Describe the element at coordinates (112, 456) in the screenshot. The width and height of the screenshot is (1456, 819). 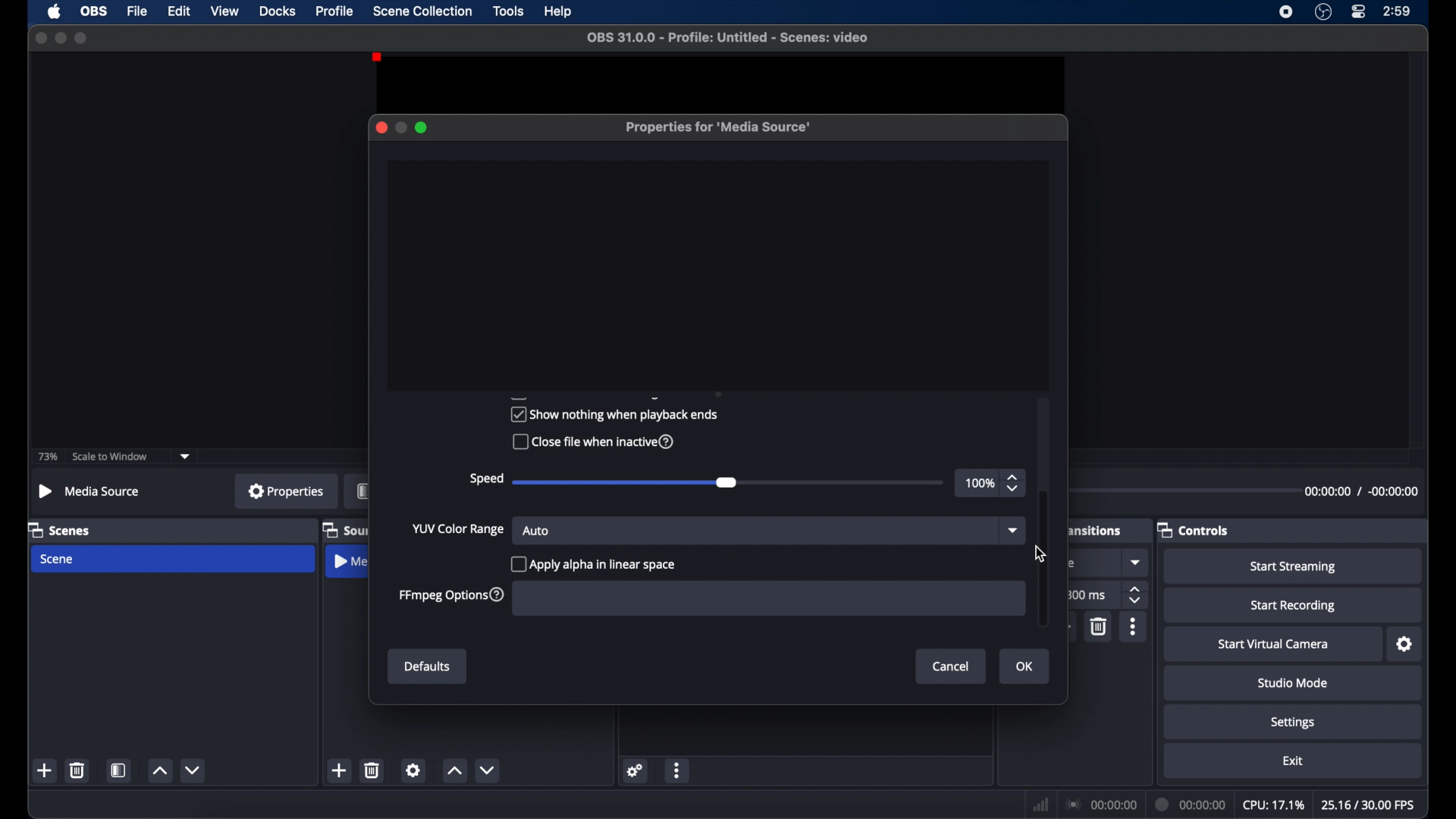
I see `scale to window` at that location.